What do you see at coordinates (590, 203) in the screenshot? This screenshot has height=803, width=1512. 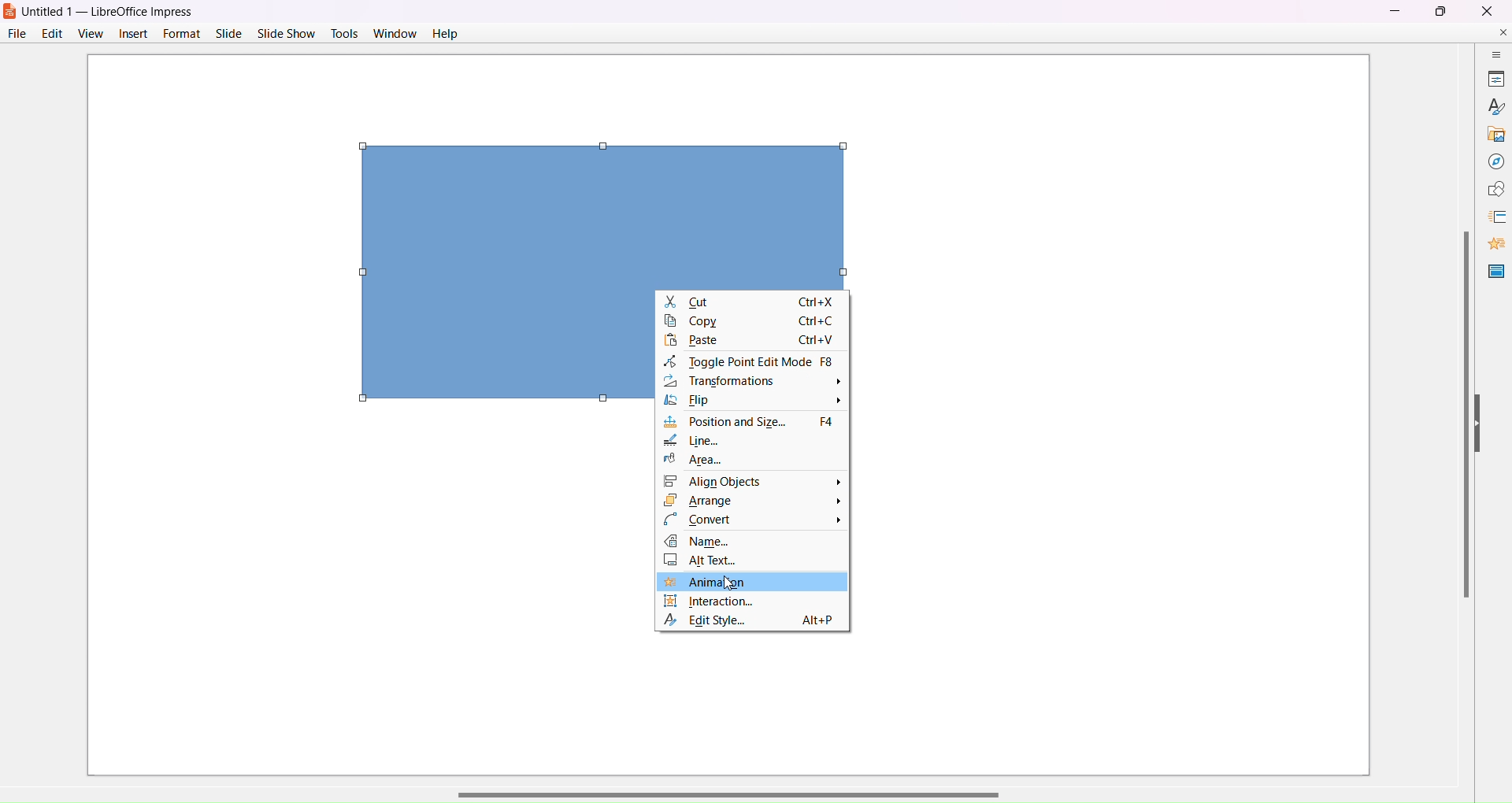 I see `Object` at bounding box center [590, 203].